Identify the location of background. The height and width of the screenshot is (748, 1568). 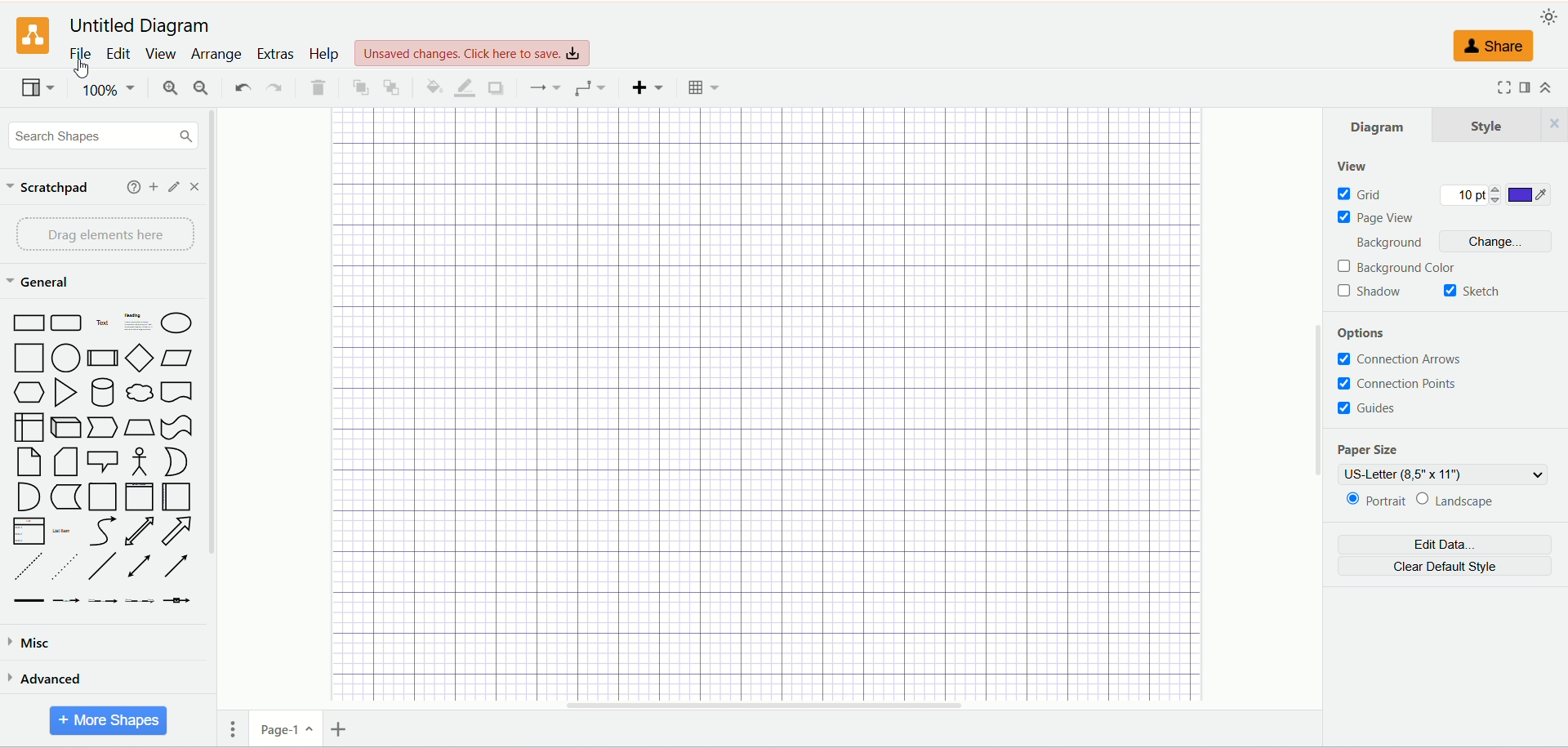
(1396, 244).